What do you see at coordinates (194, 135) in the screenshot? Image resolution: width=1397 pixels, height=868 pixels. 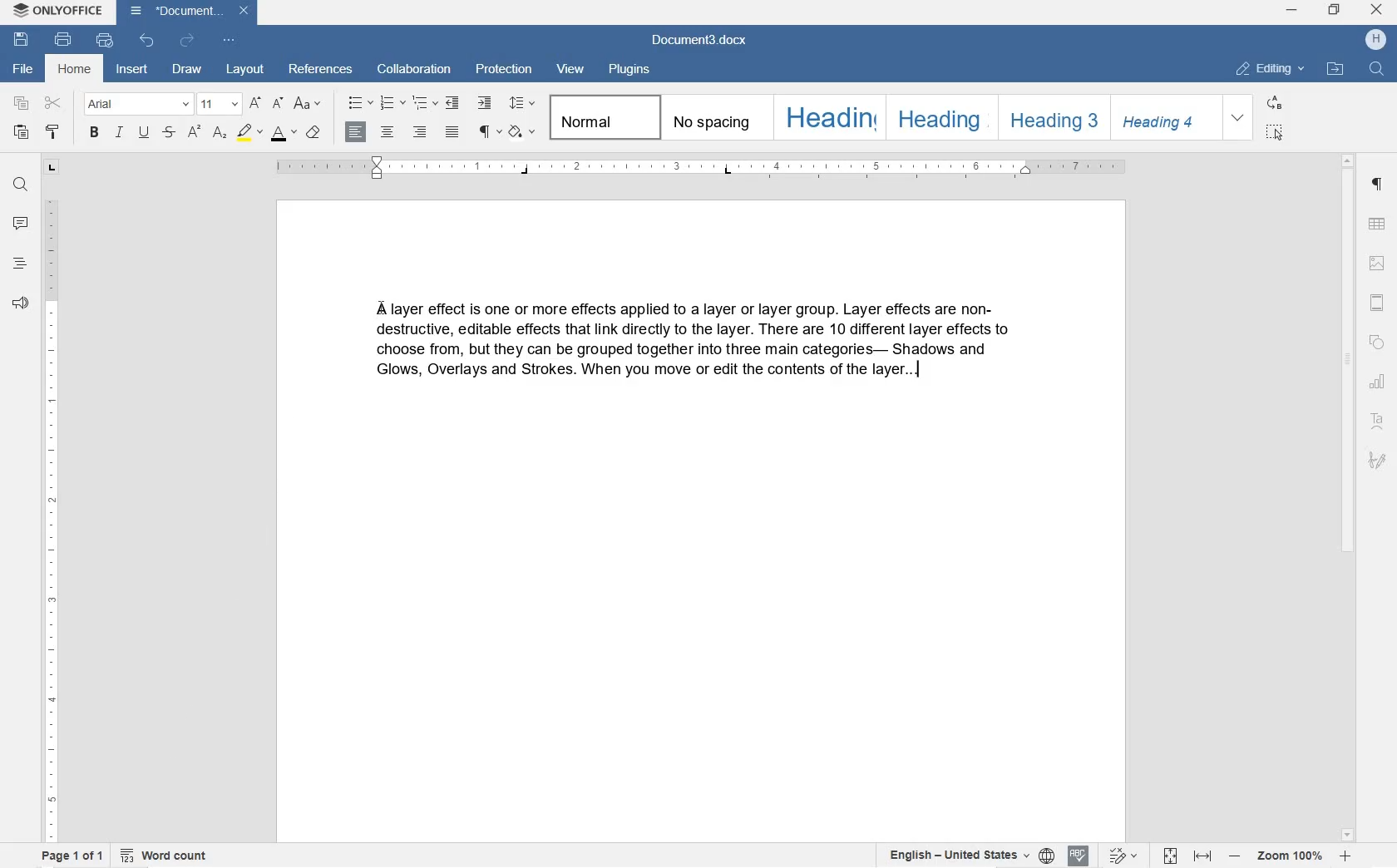 I see `SUBSCRIPT` at bounding box center [194, 135].